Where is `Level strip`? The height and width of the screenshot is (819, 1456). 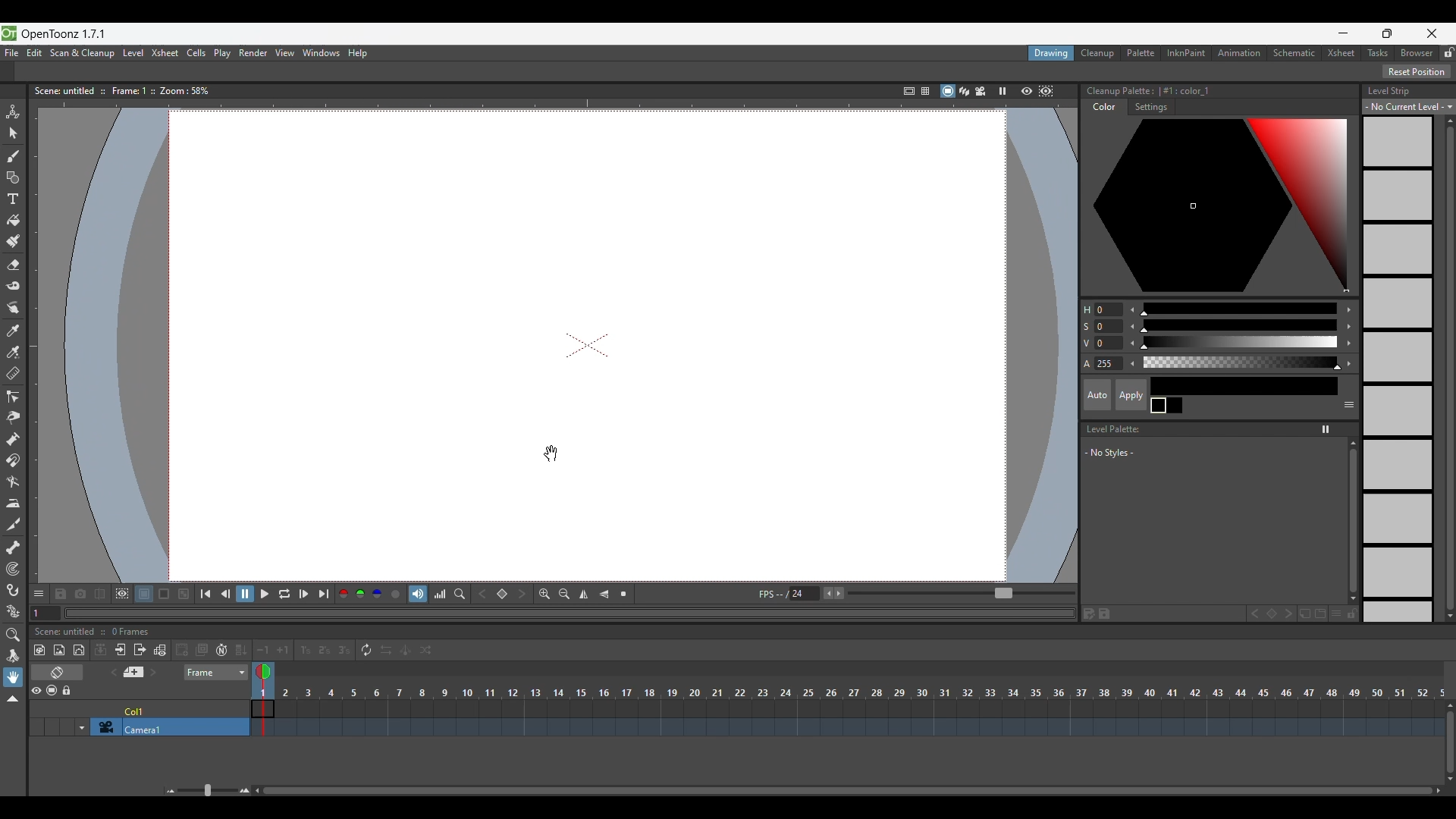 Level strip is located at coordinates (1401, 370).